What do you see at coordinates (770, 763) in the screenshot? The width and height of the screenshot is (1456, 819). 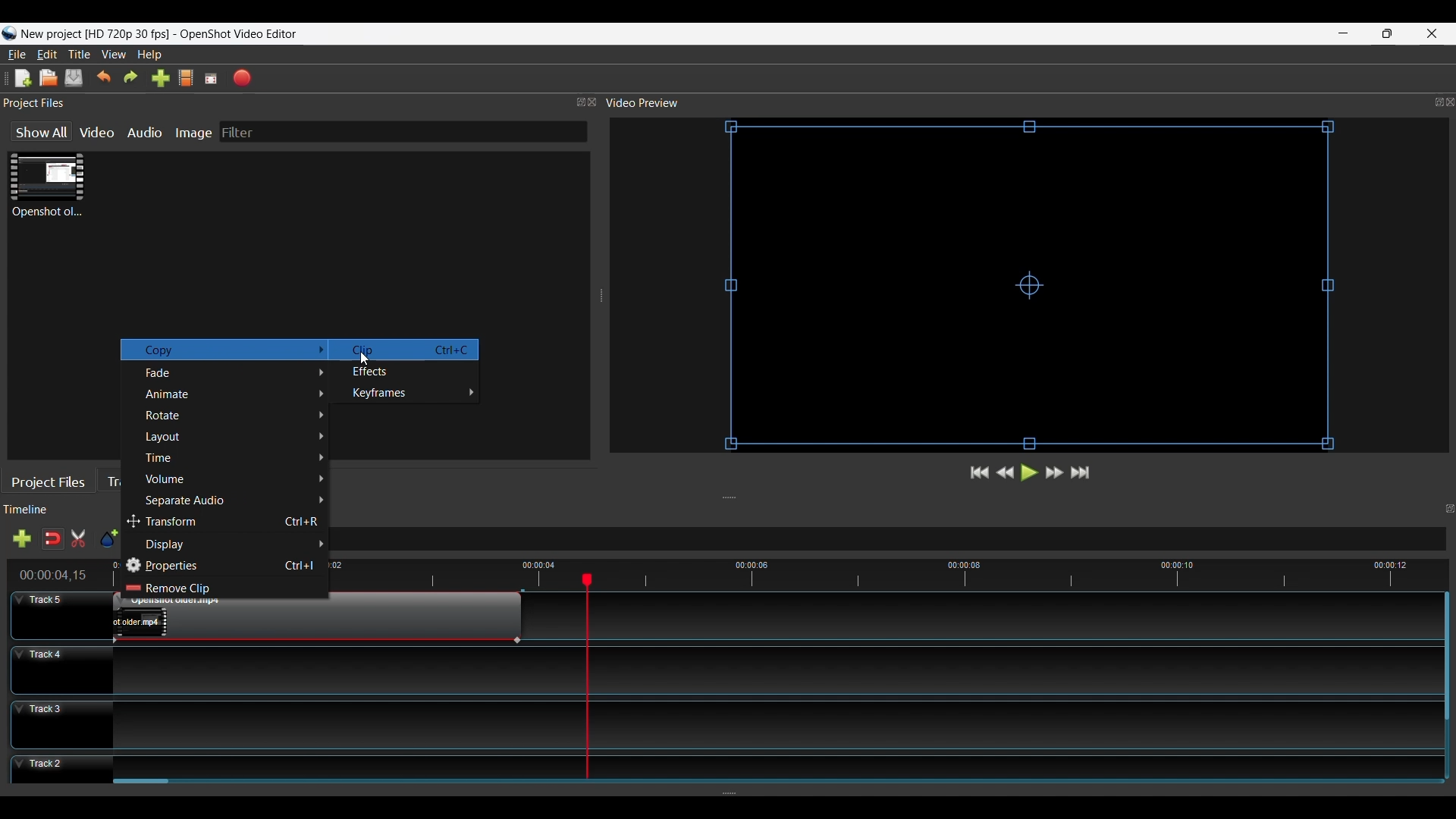 I see `Track Panel` at bounding box center [770, 763].